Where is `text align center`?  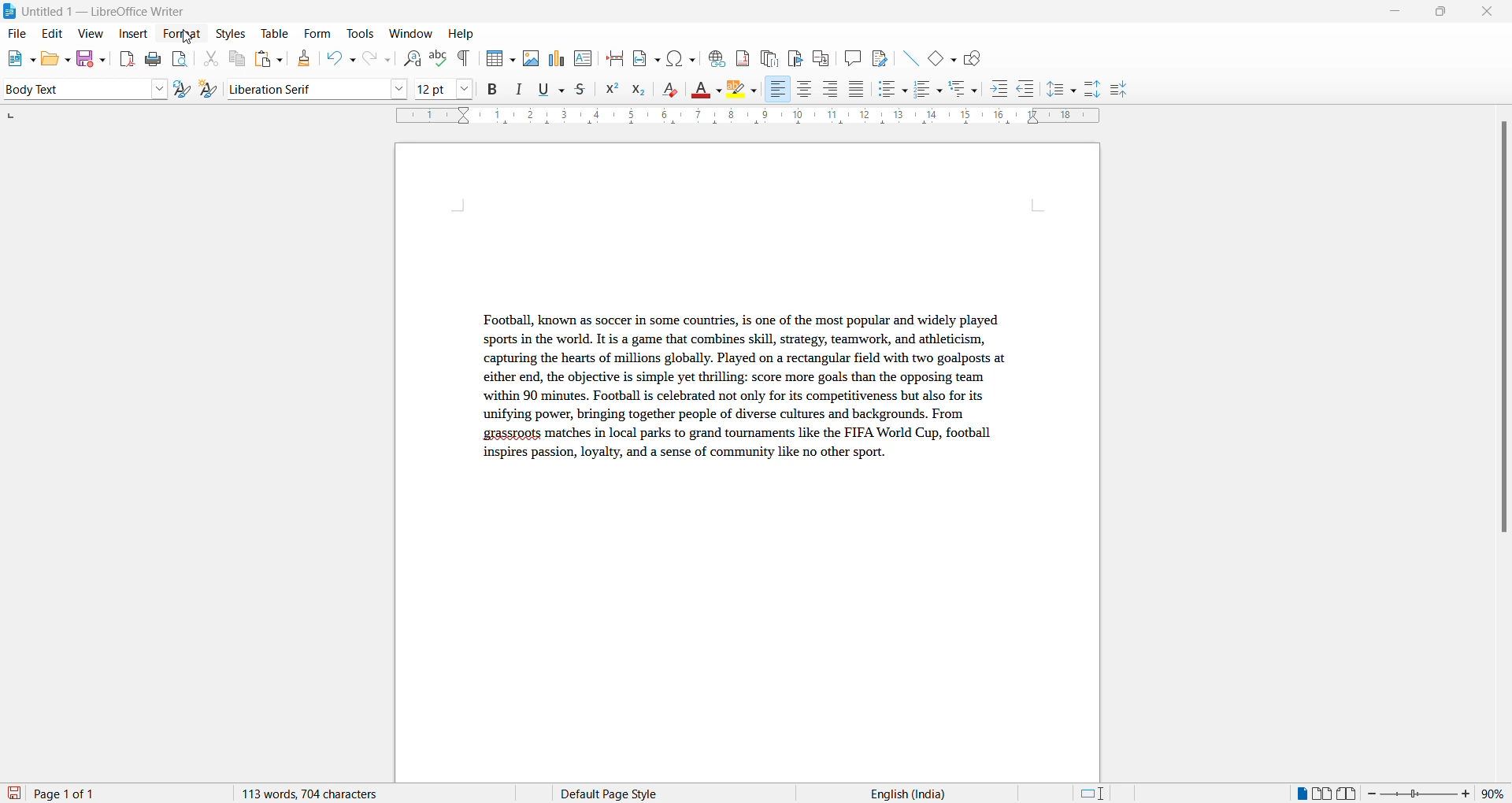 text align center is located at coordinates (805, 90).